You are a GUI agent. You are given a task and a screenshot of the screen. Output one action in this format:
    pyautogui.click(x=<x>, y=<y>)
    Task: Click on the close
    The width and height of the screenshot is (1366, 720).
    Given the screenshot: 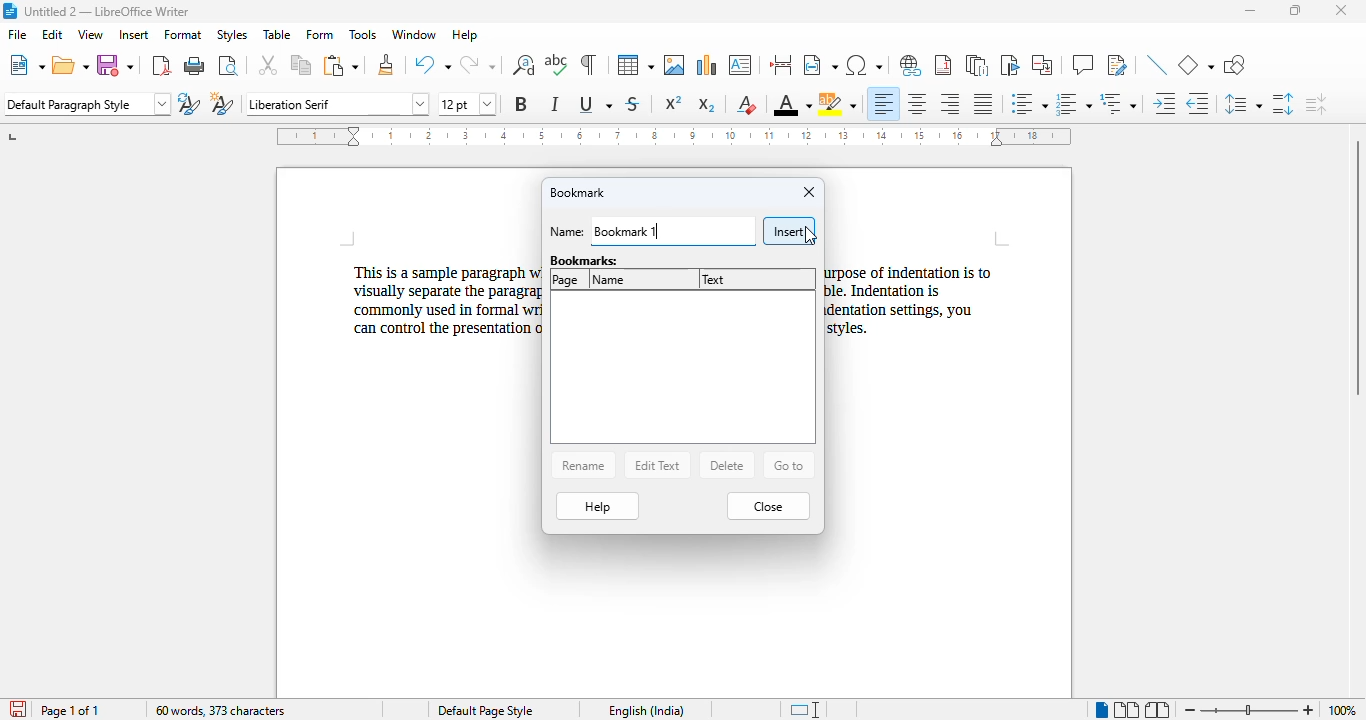 What is the action you would take?
    pyautogui.click(x=809, y=191)
    